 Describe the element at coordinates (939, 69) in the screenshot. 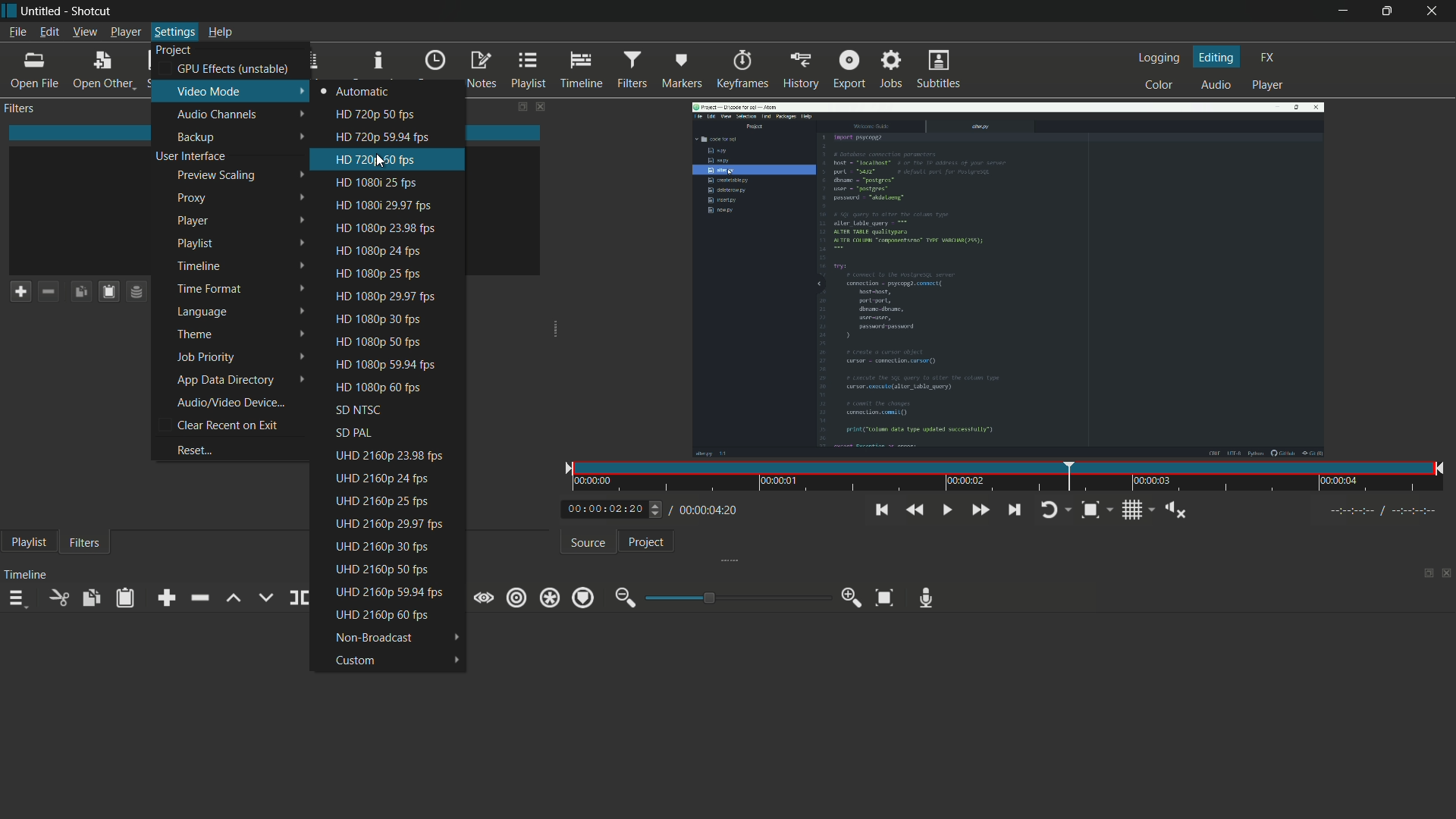

I see `subtitles` at that location.